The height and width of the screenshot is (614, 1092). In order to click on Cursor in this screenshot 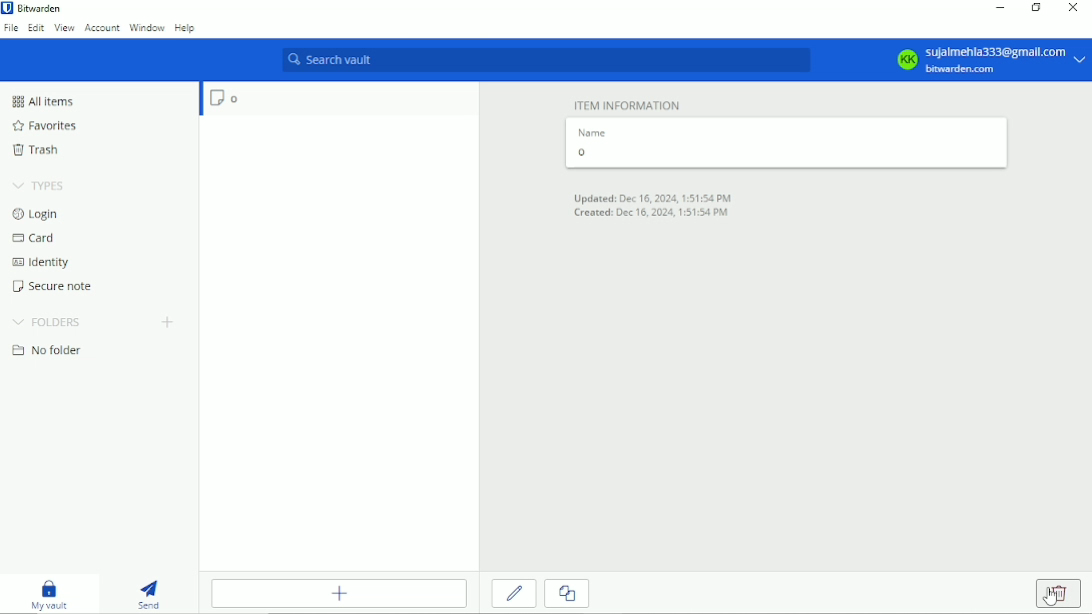, I will do `click(1049, 596)`.